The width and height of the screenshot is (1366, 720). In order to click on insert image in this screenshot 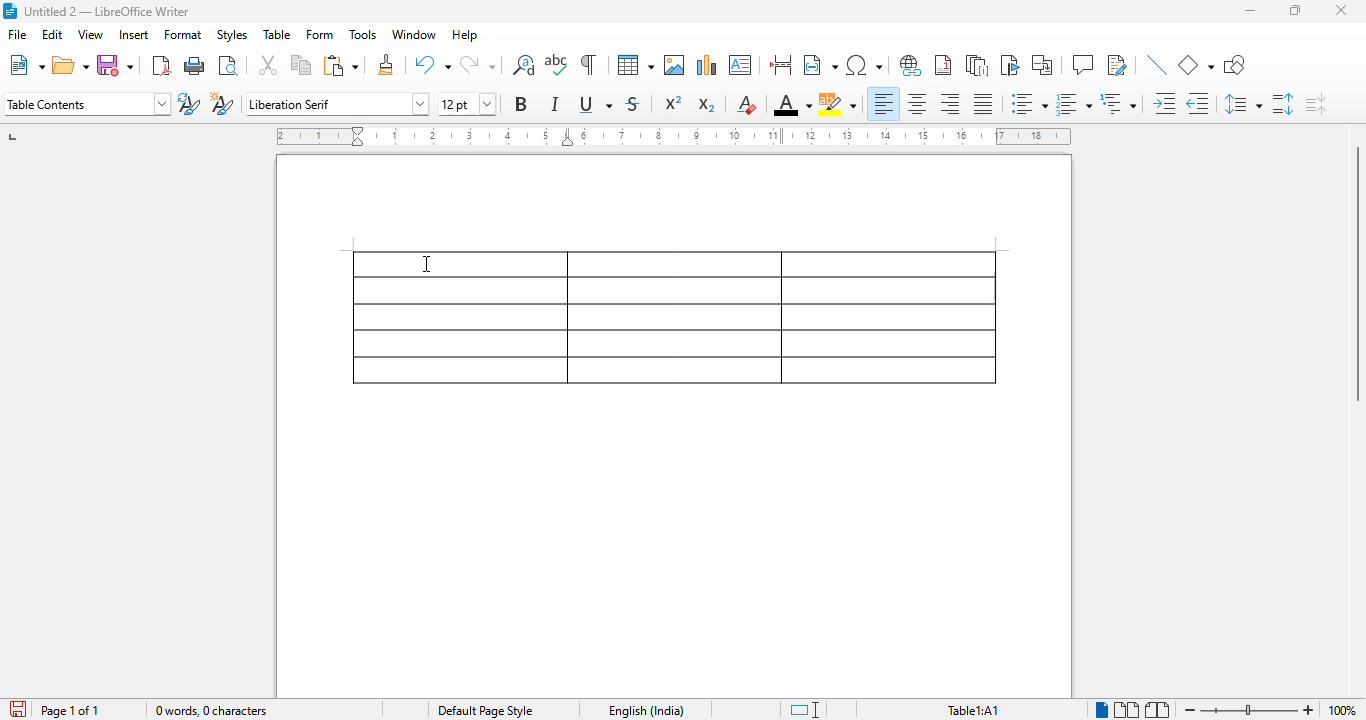, I will do `click(675, 65)`.